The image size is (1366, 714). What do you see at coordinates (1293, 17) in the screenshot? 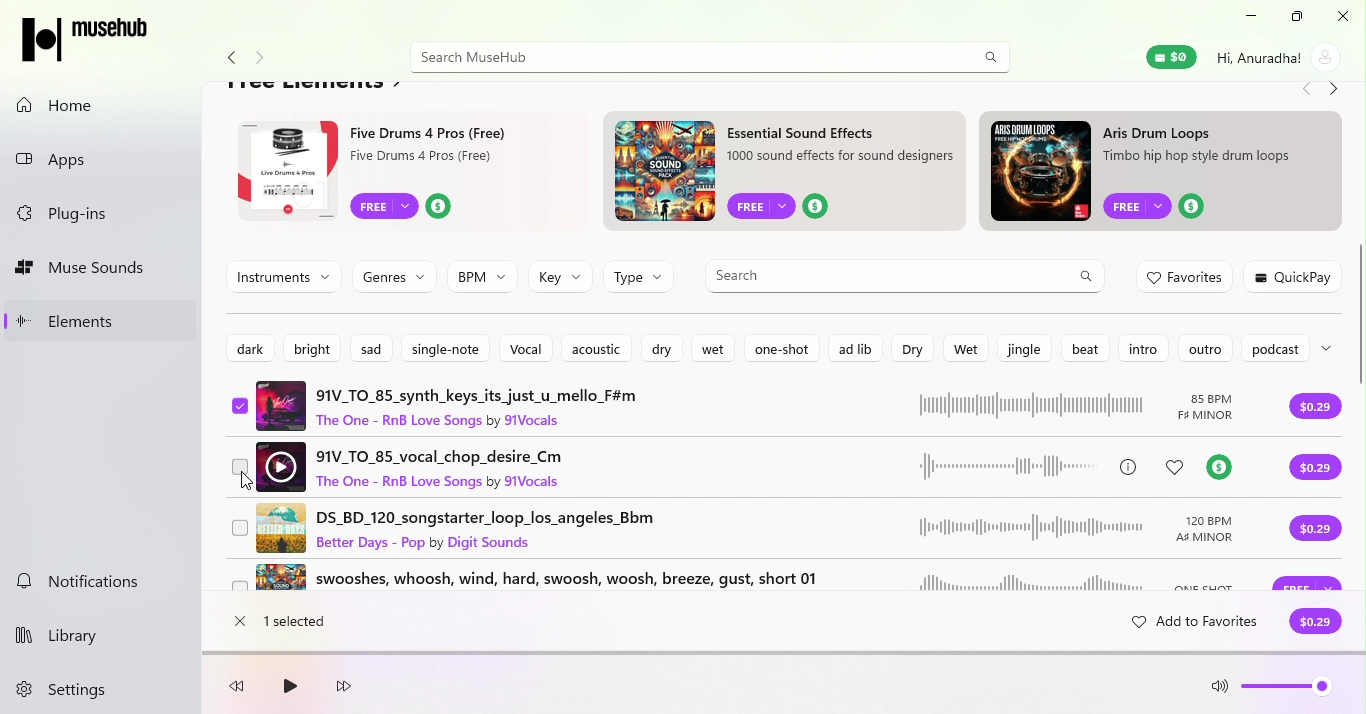
I see `Maximize` at bounding box center [1293, 17].